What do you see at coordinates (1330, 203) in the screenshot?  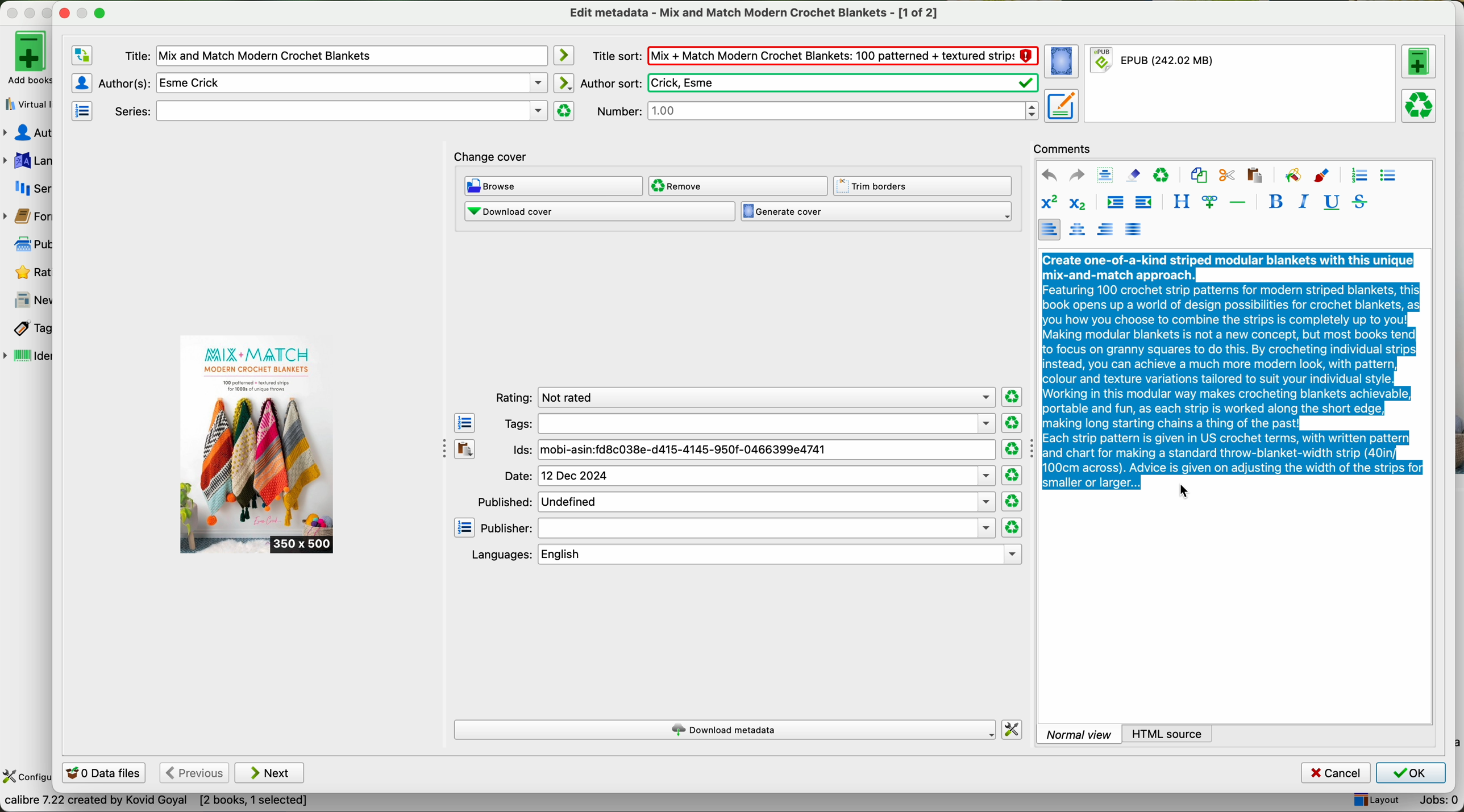 I see `underline` at bounding box center [1330, 203].